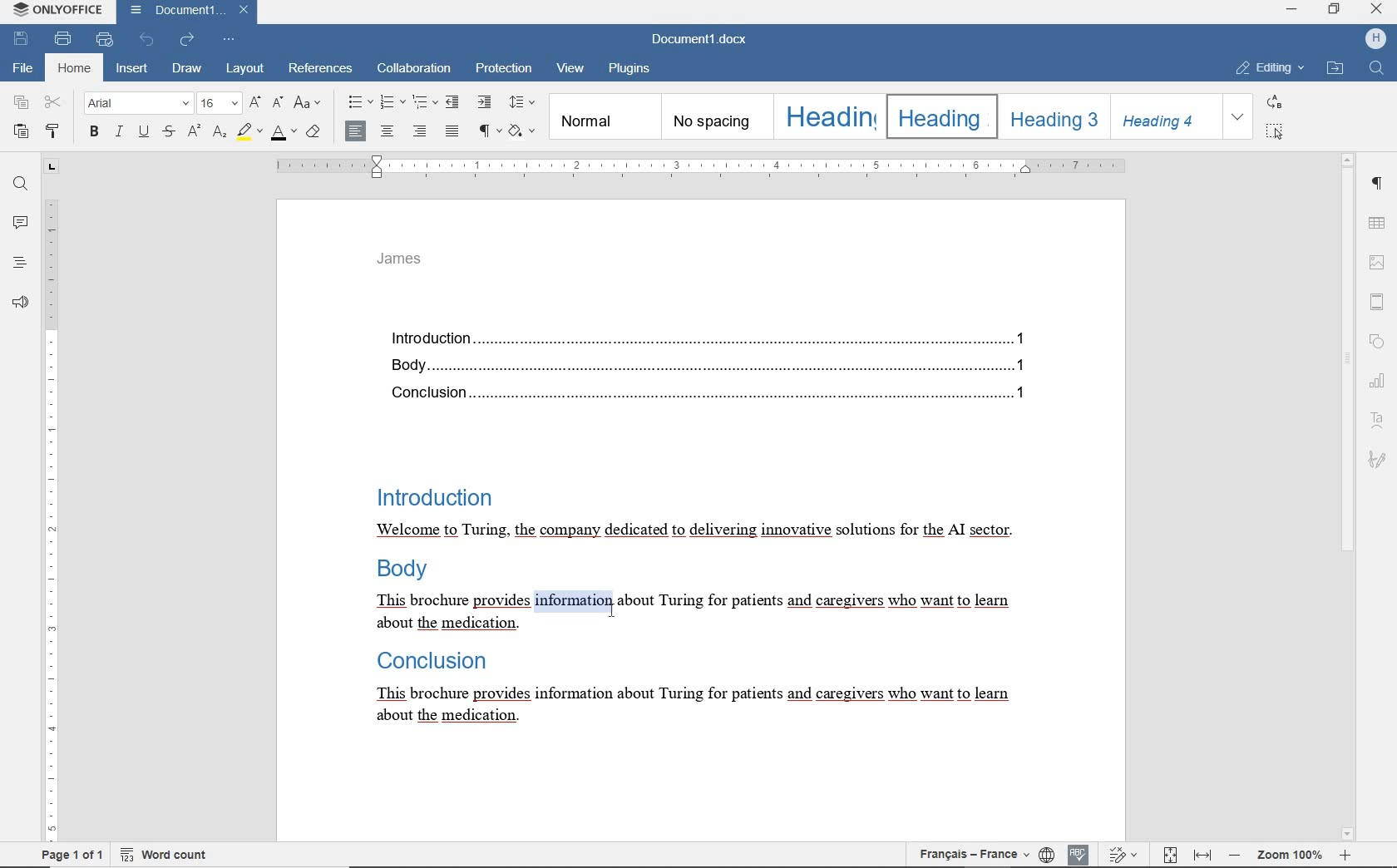 This screenshot has width=1397, height=868. I want to click on RULER, so click(49, 500).